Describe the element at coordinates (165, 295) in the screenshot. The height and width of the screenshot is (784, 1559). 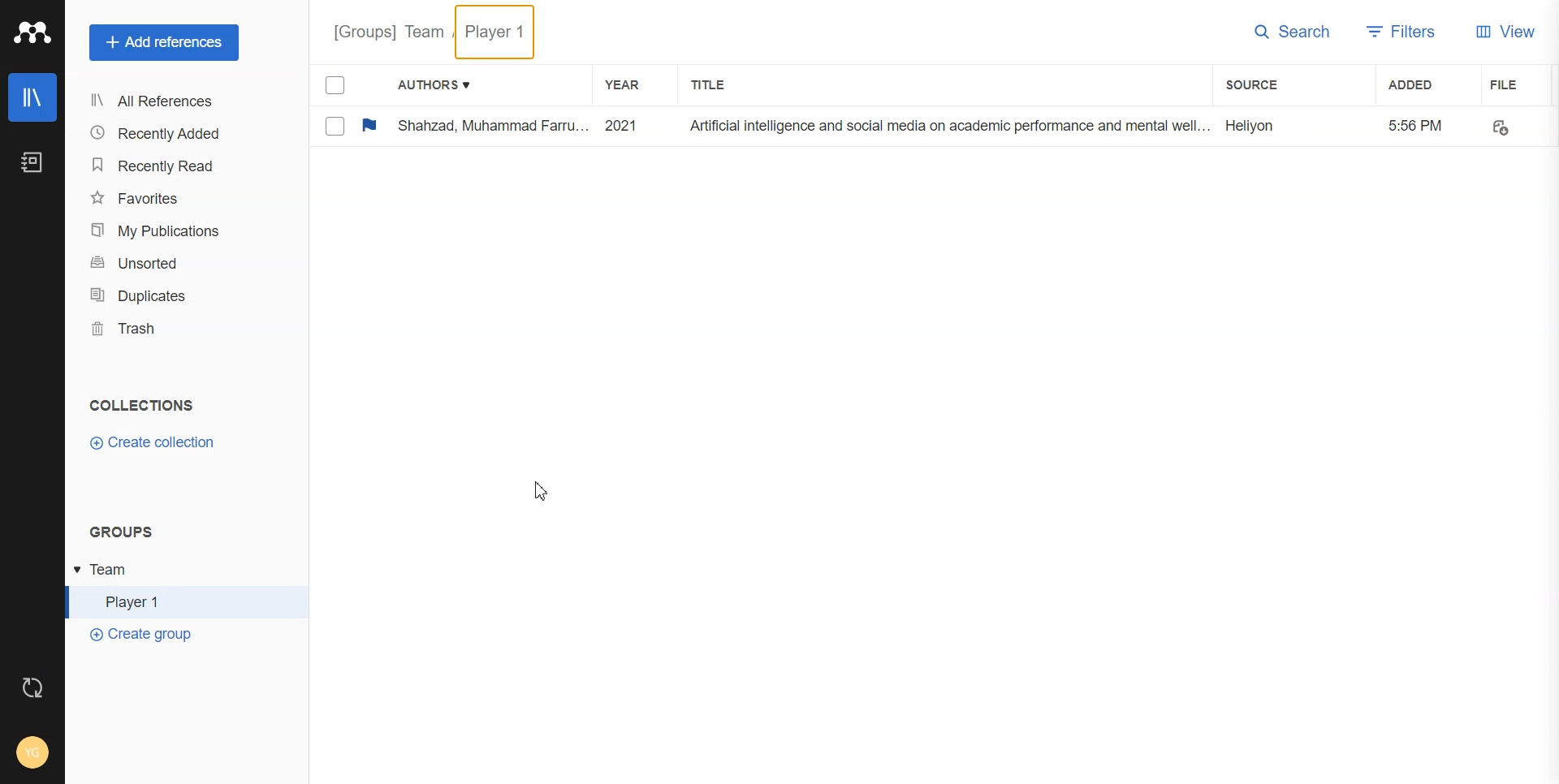
I see `Duplicates` at that location.